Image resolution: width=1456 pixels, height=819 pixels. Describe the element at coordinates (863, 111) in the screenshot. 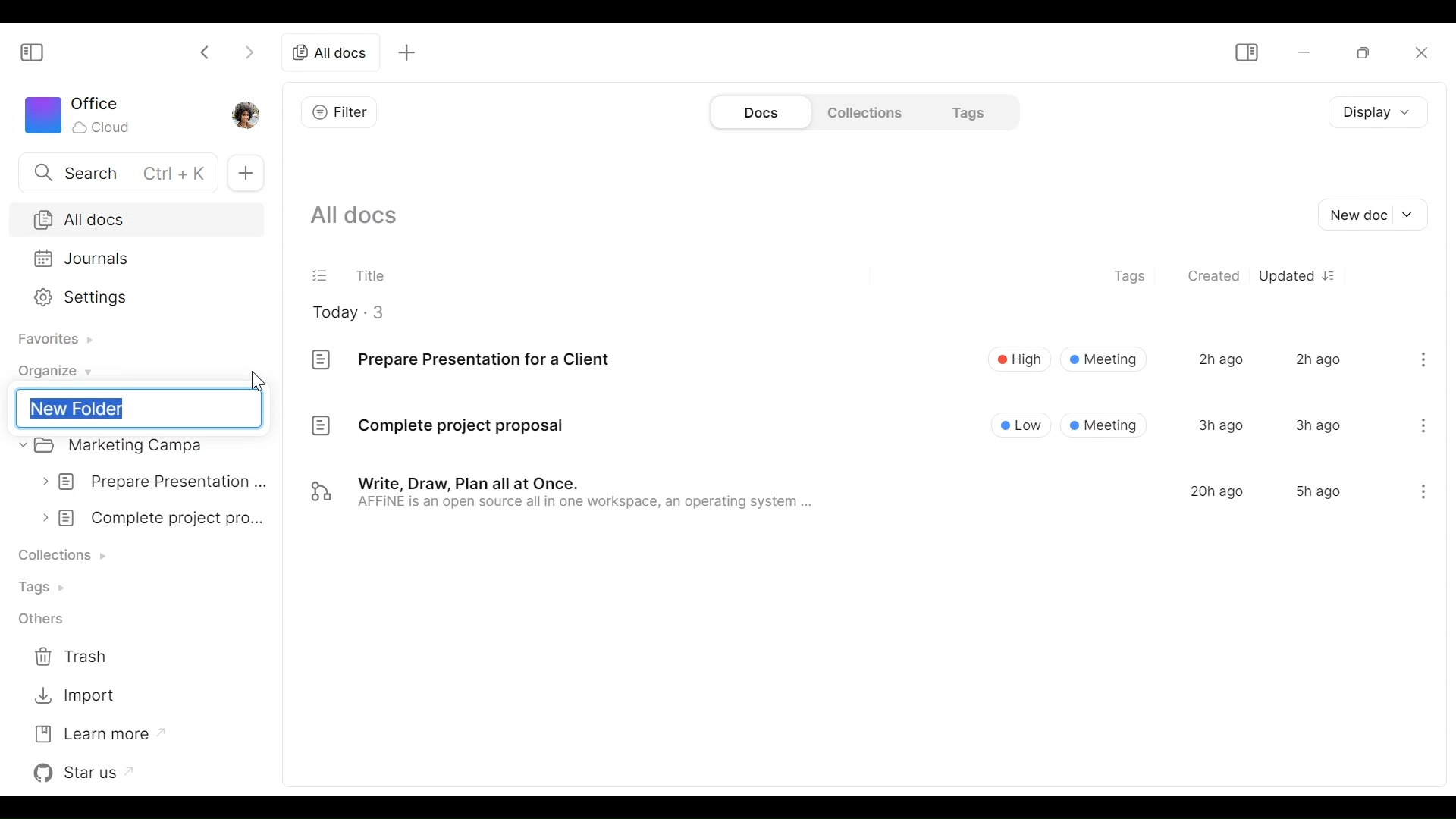

I see `Collections` at that location.